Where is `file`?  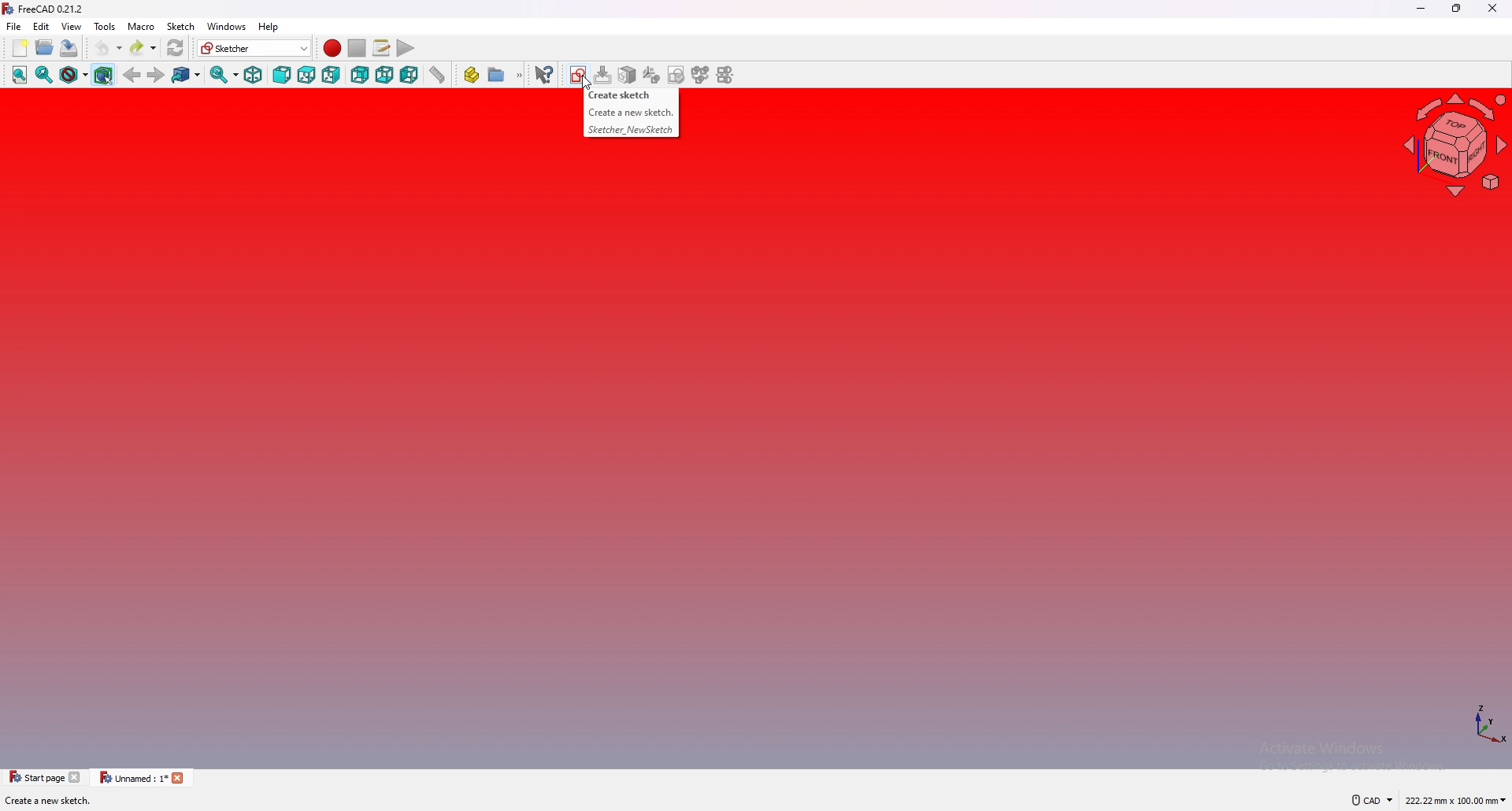 file is located at coordinates (14, 26).